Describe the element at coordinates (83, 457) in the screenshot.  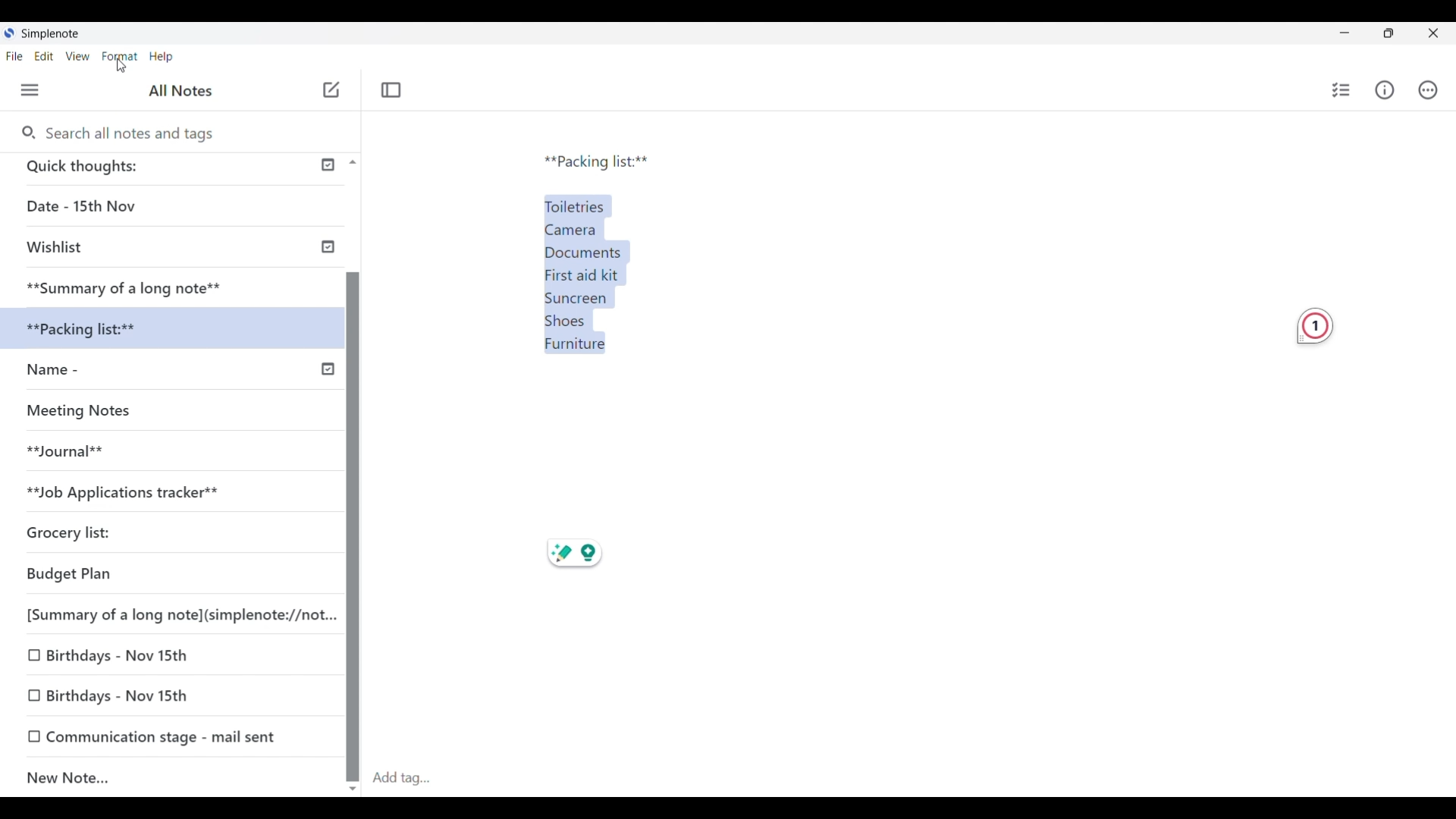
I see `Journal` at that location.